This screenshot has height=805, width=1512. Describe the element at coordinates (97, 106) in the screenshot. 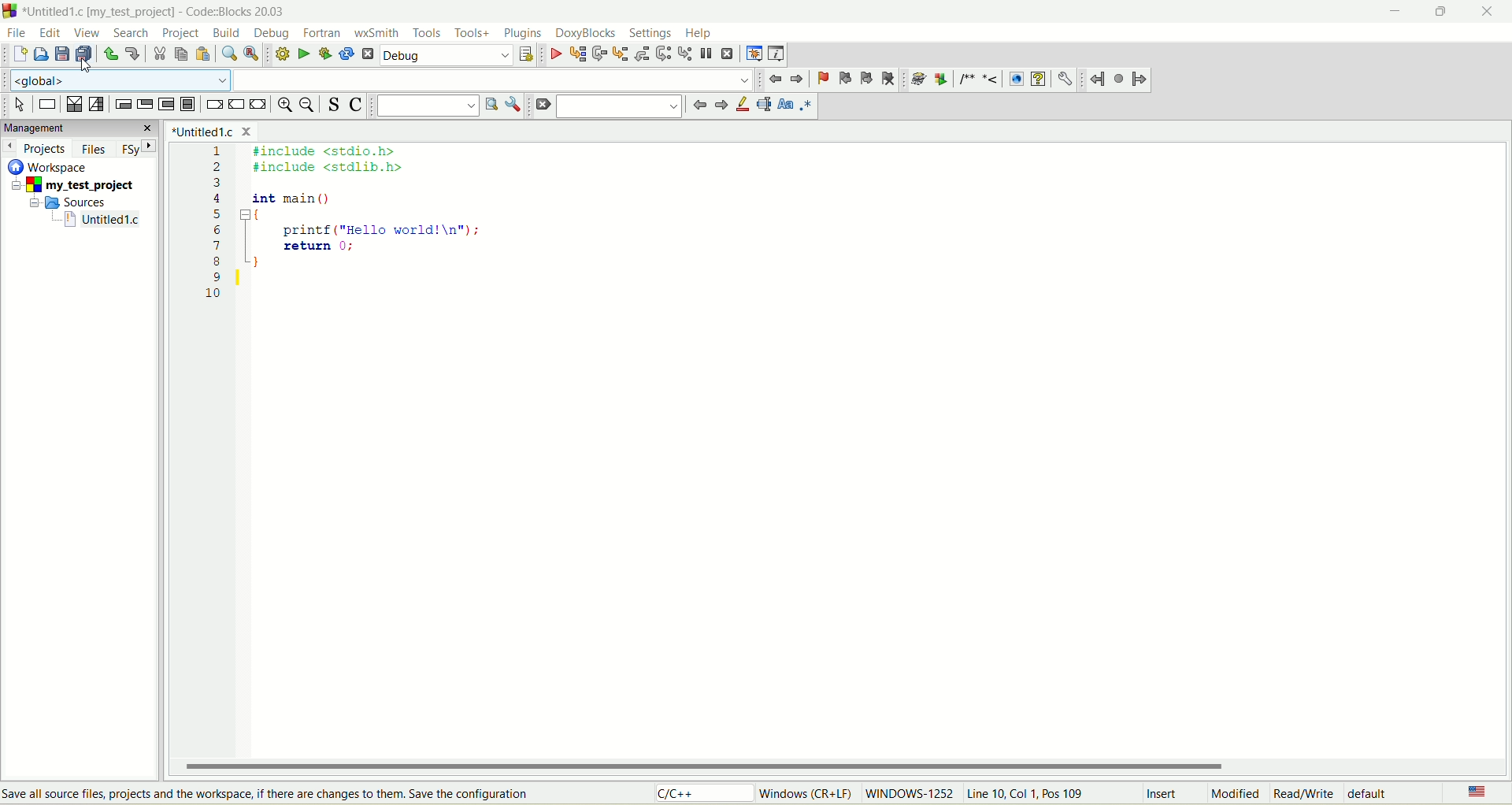

I see `selection` at that location.